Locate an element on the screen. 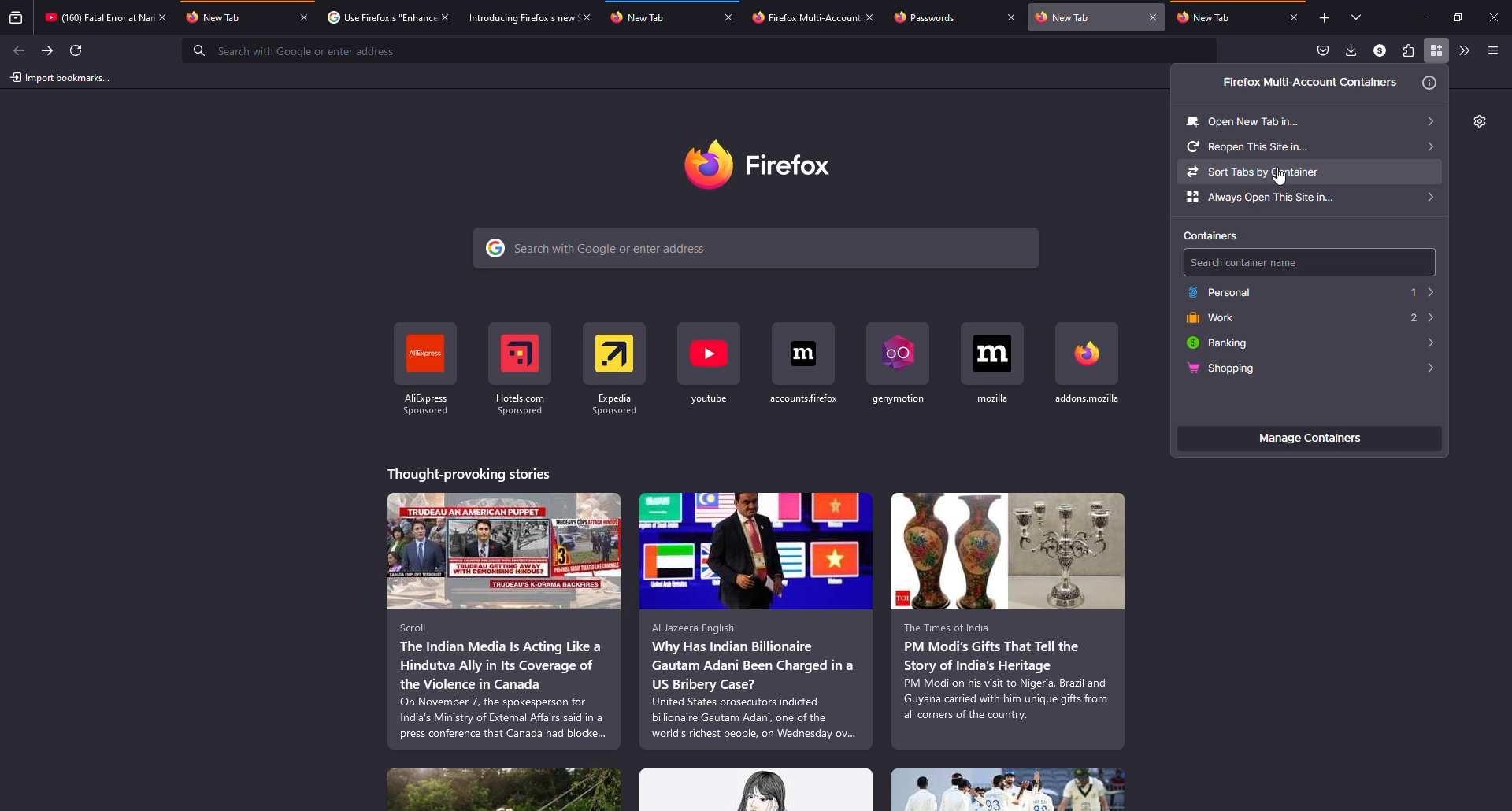  close is located at coordinates (1496, 17).